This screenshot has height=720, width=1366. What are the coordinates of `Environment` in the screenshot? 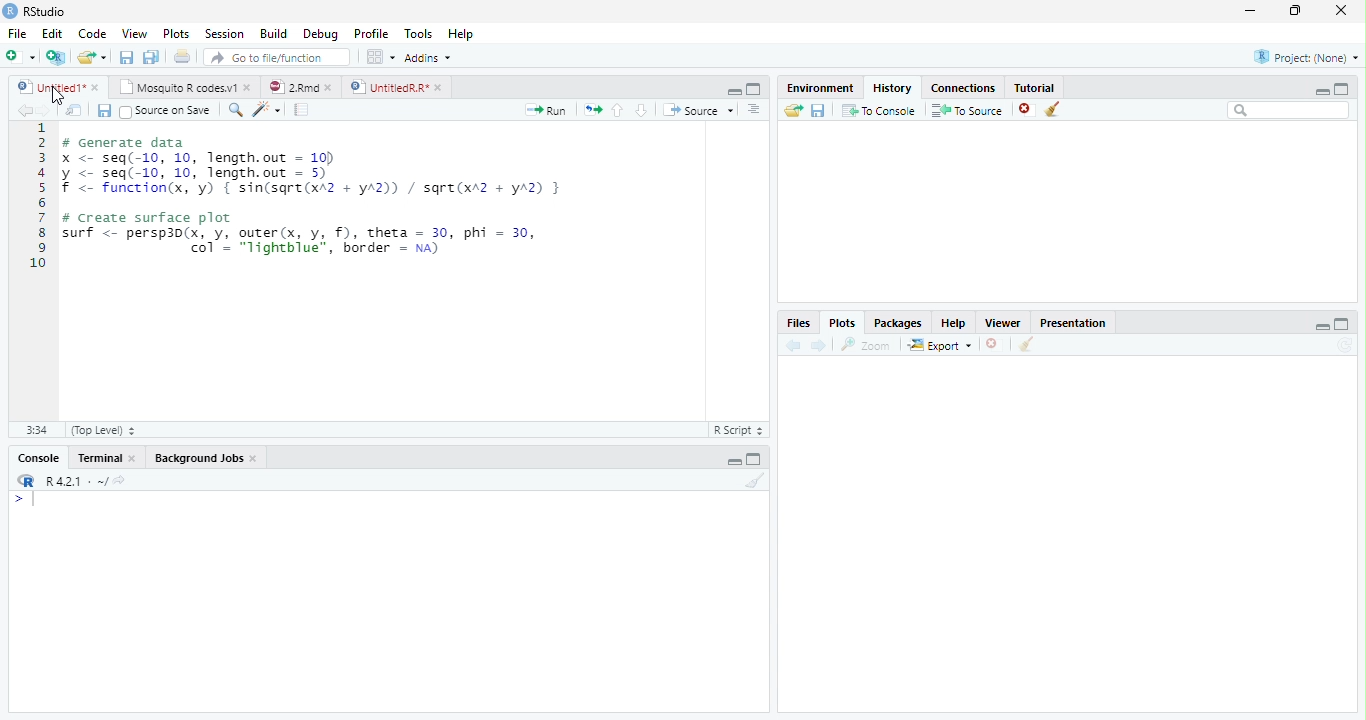 It's located at (820, 88).